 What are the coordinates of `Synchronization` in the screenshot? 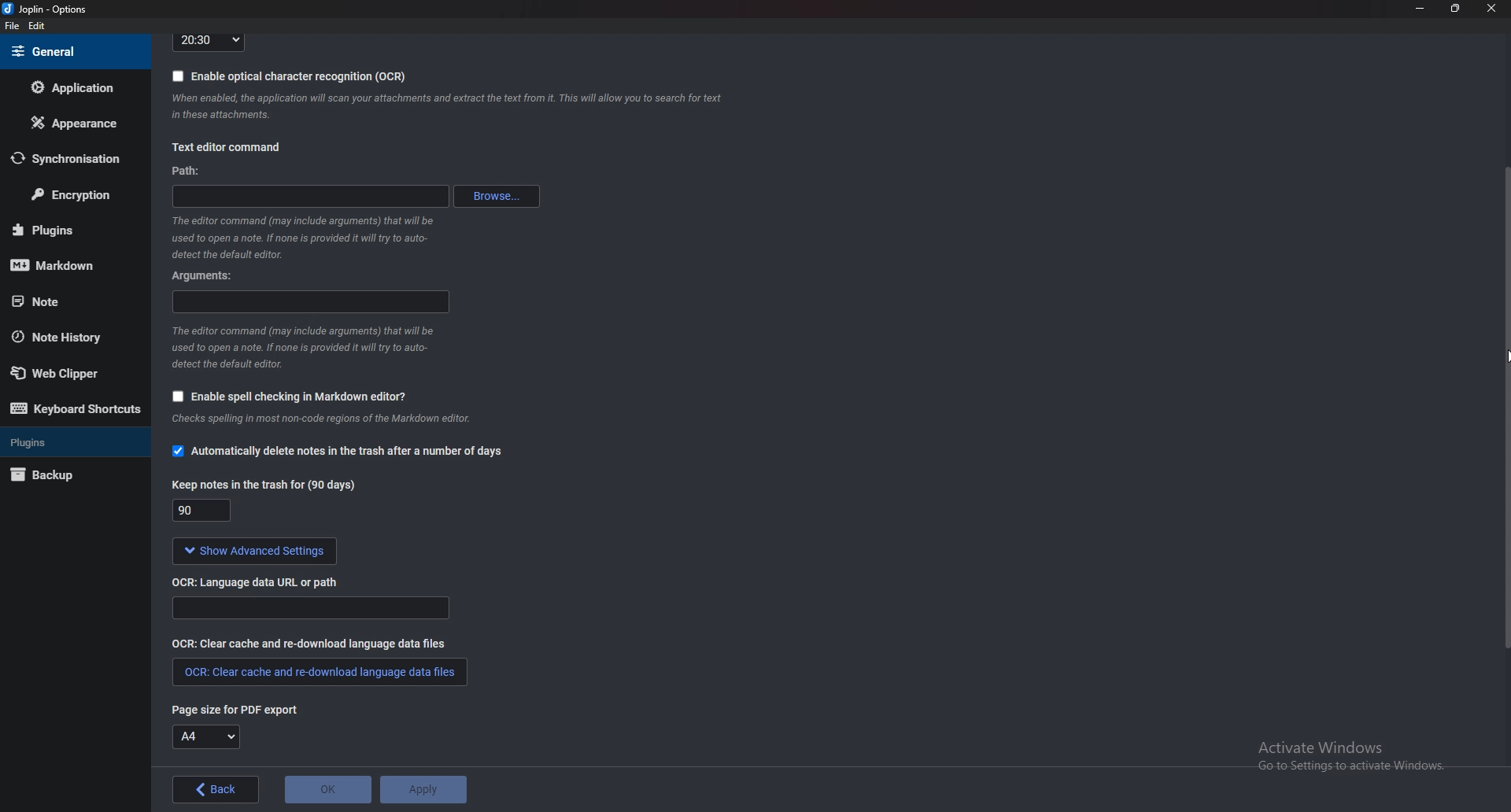 It's located at (66, 159).